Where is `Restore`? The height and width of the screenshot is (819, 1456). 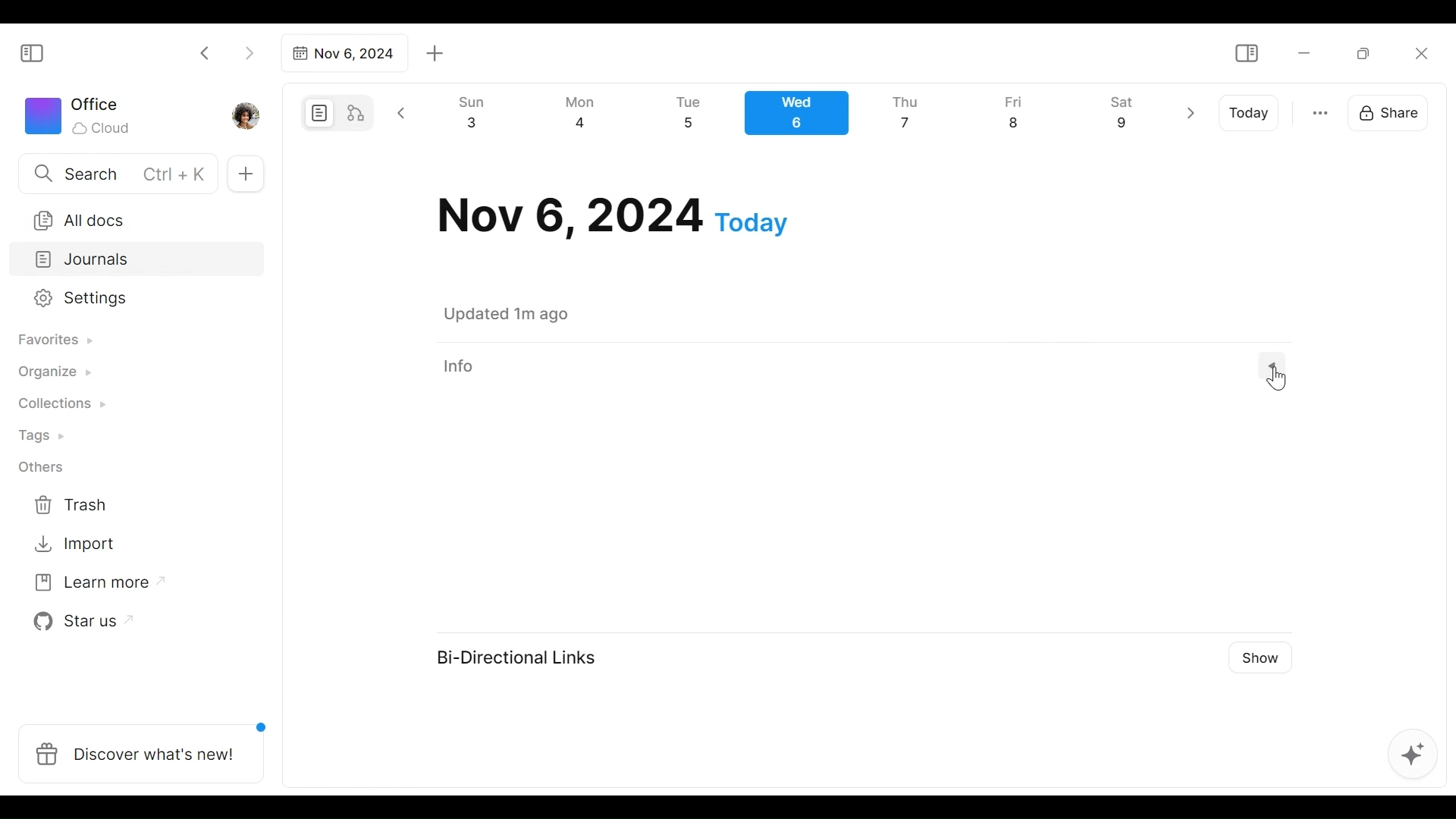 Restore is located at coordinates (1369, 52).